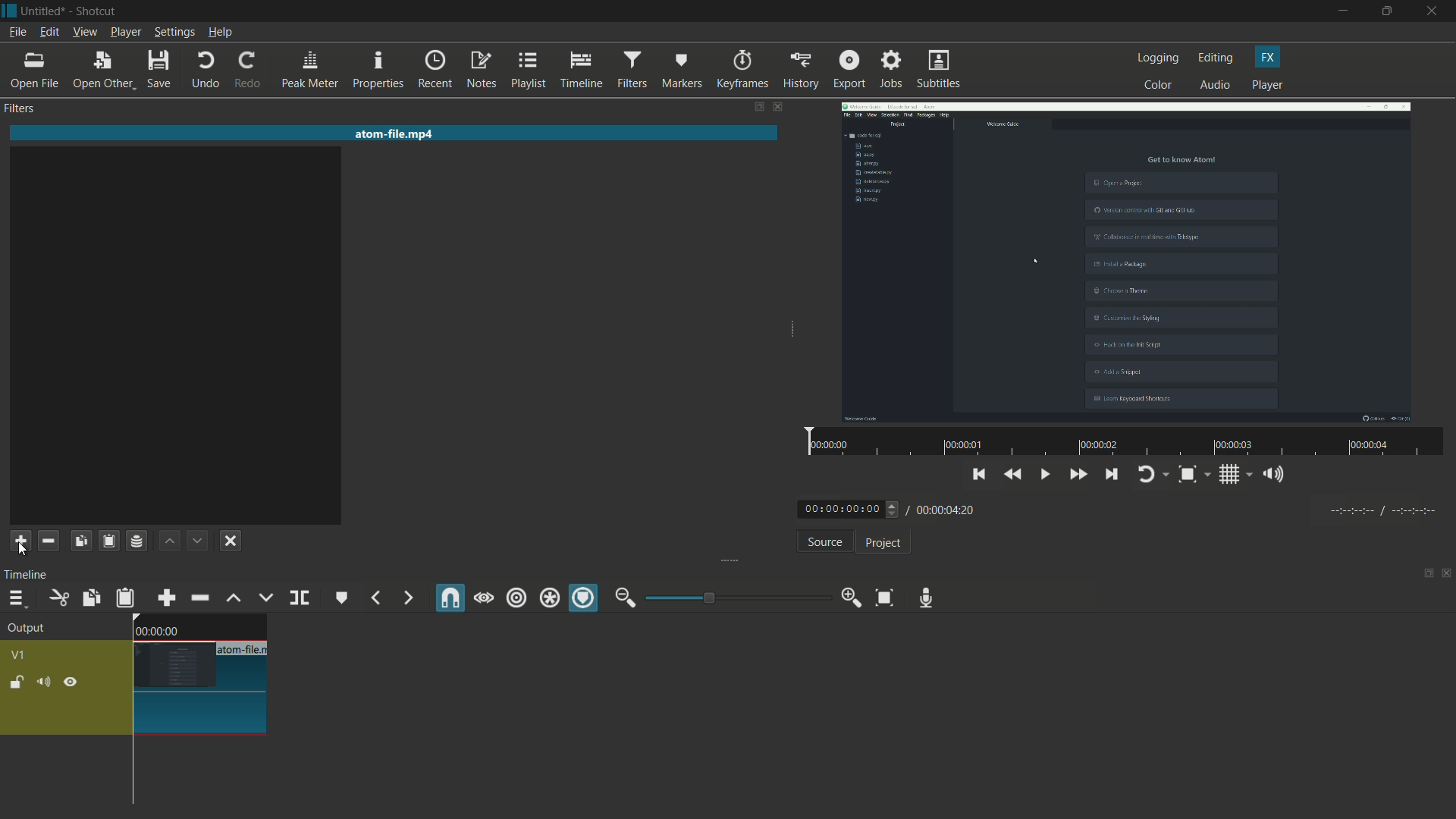  I want to click on toggle grid system, so click(1237, 477).